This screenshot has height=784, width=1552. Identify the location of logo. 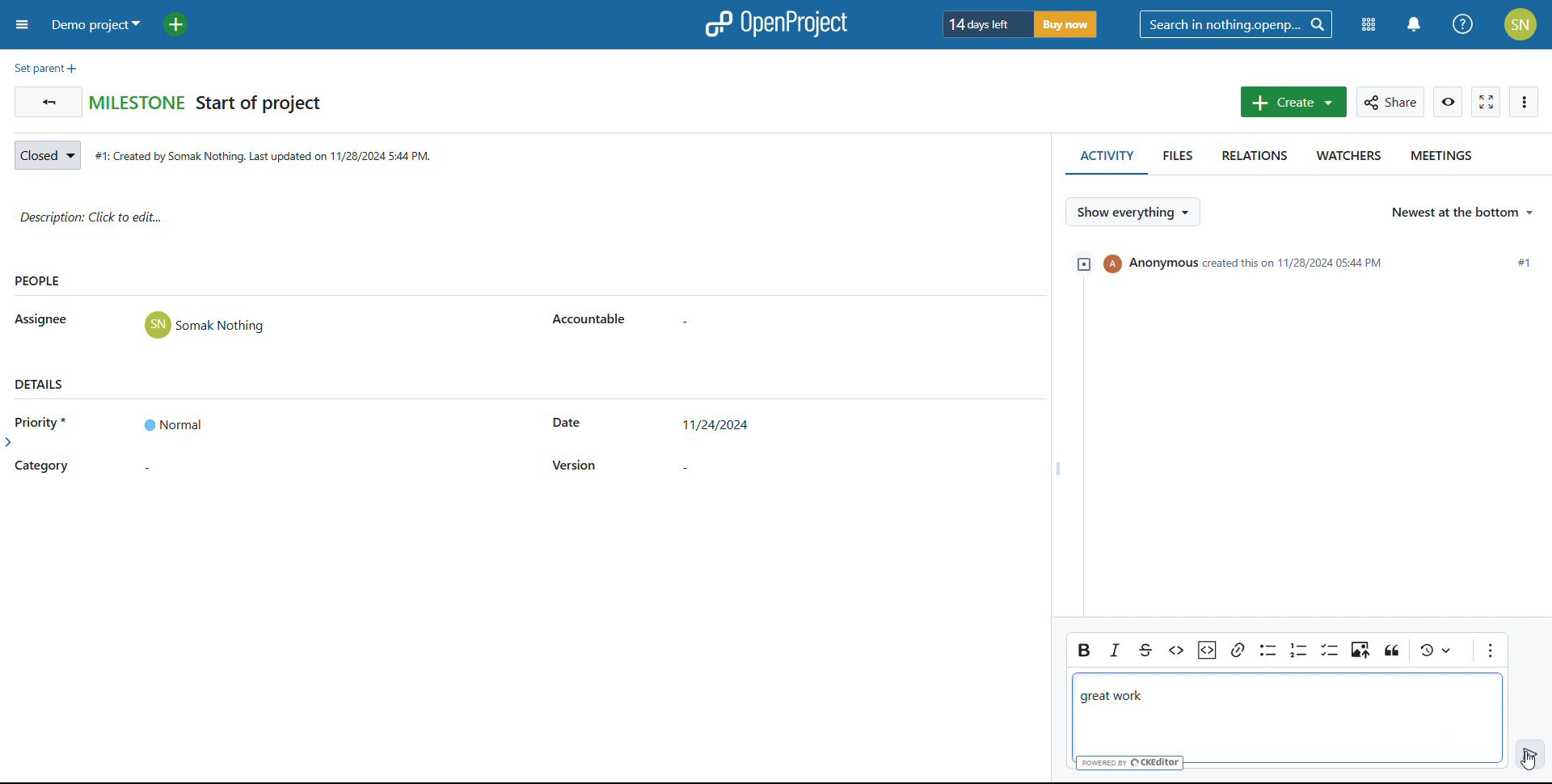
(774, 24).